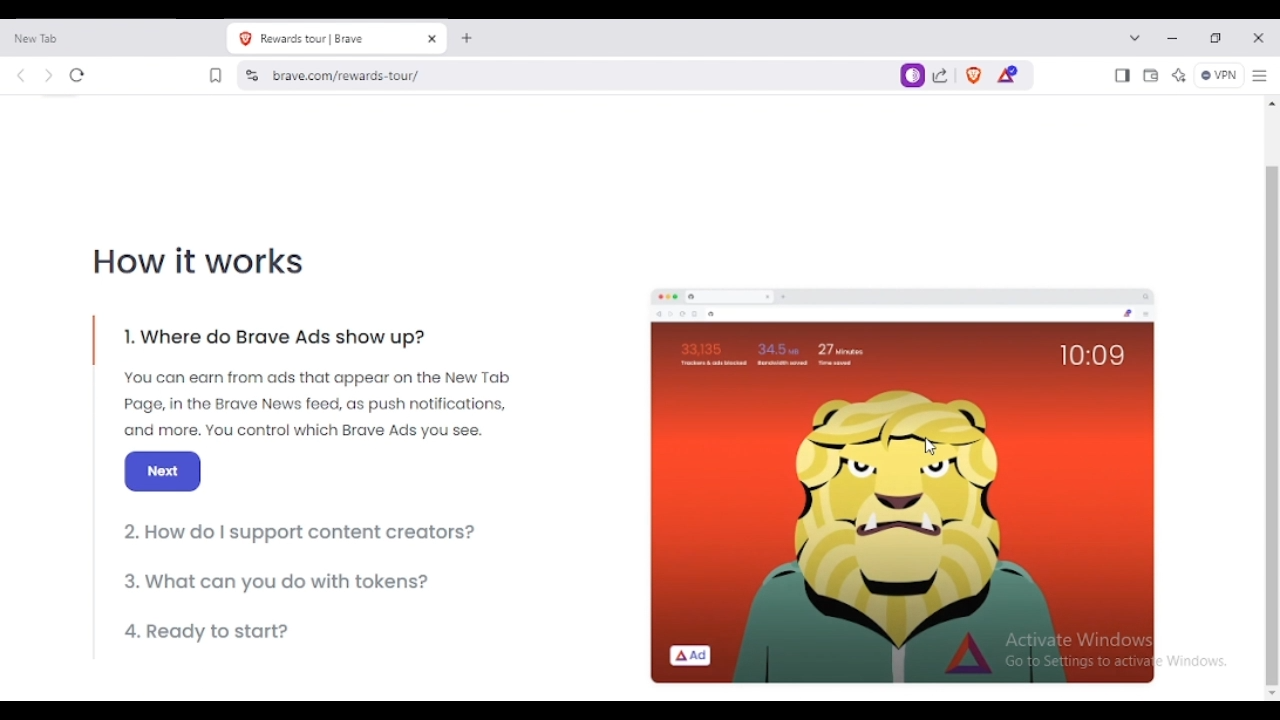 This screenshot has width=1280, height=720. What do you see at coordinates (974, 76) in the screenshot?
I see `brave shields` at bounding box center [974, 76].